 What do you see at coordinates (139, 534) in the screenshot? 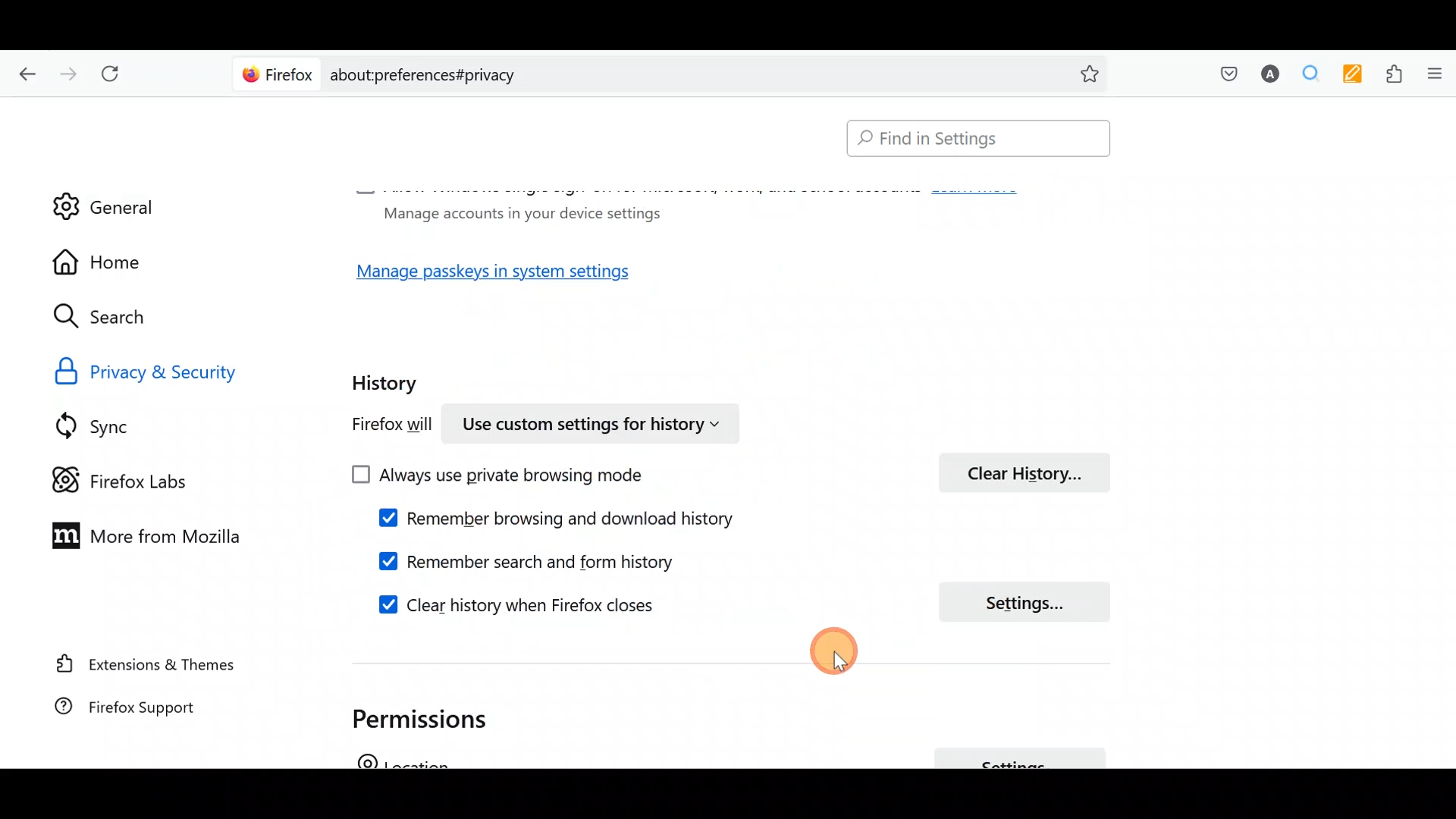
I see `More from Mozilla` at bounding box center [139, 534].